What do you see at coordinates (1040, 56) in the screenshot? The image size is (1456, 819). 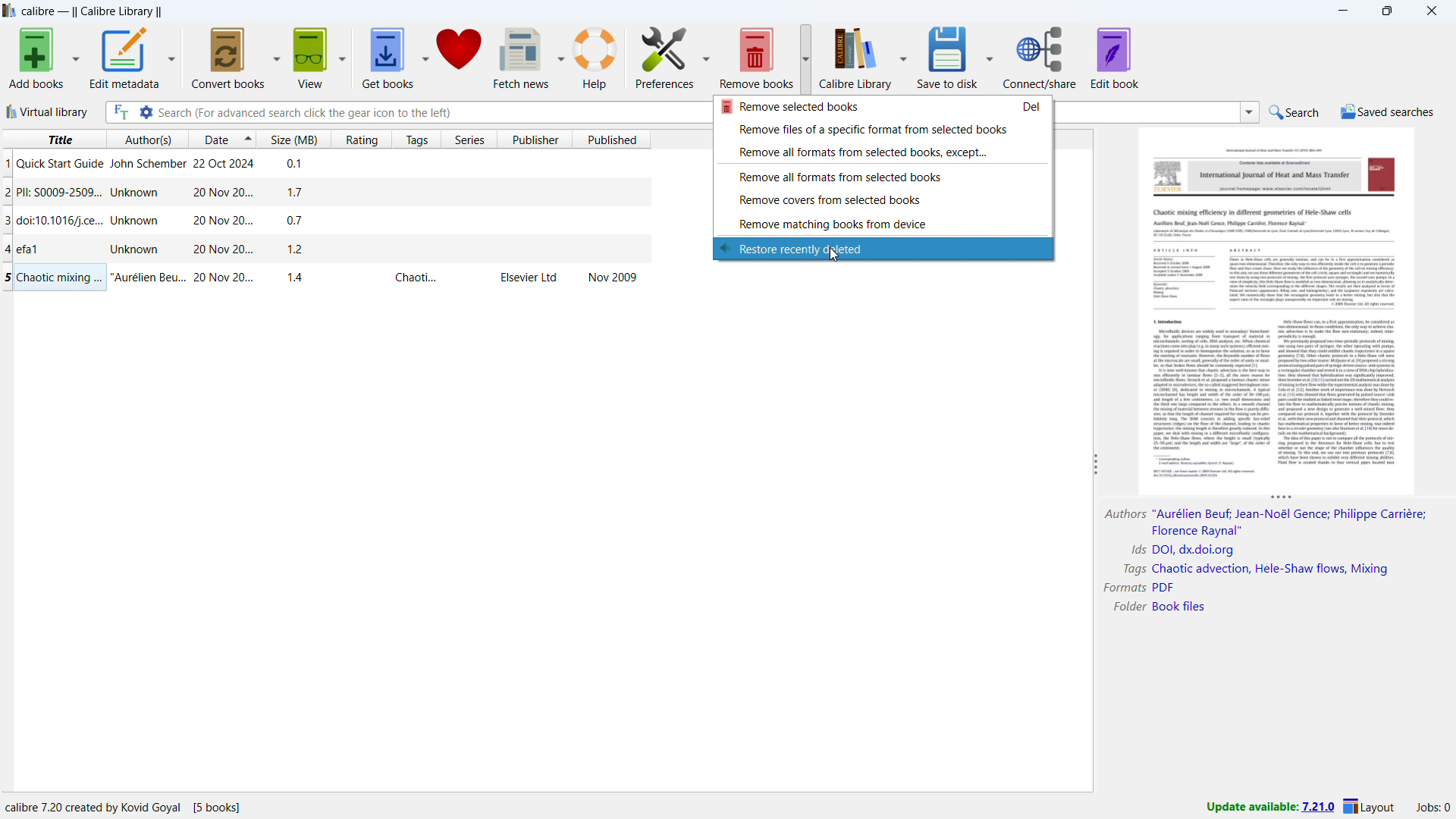 I see `connect/share` at bounding box center [1040, 56].